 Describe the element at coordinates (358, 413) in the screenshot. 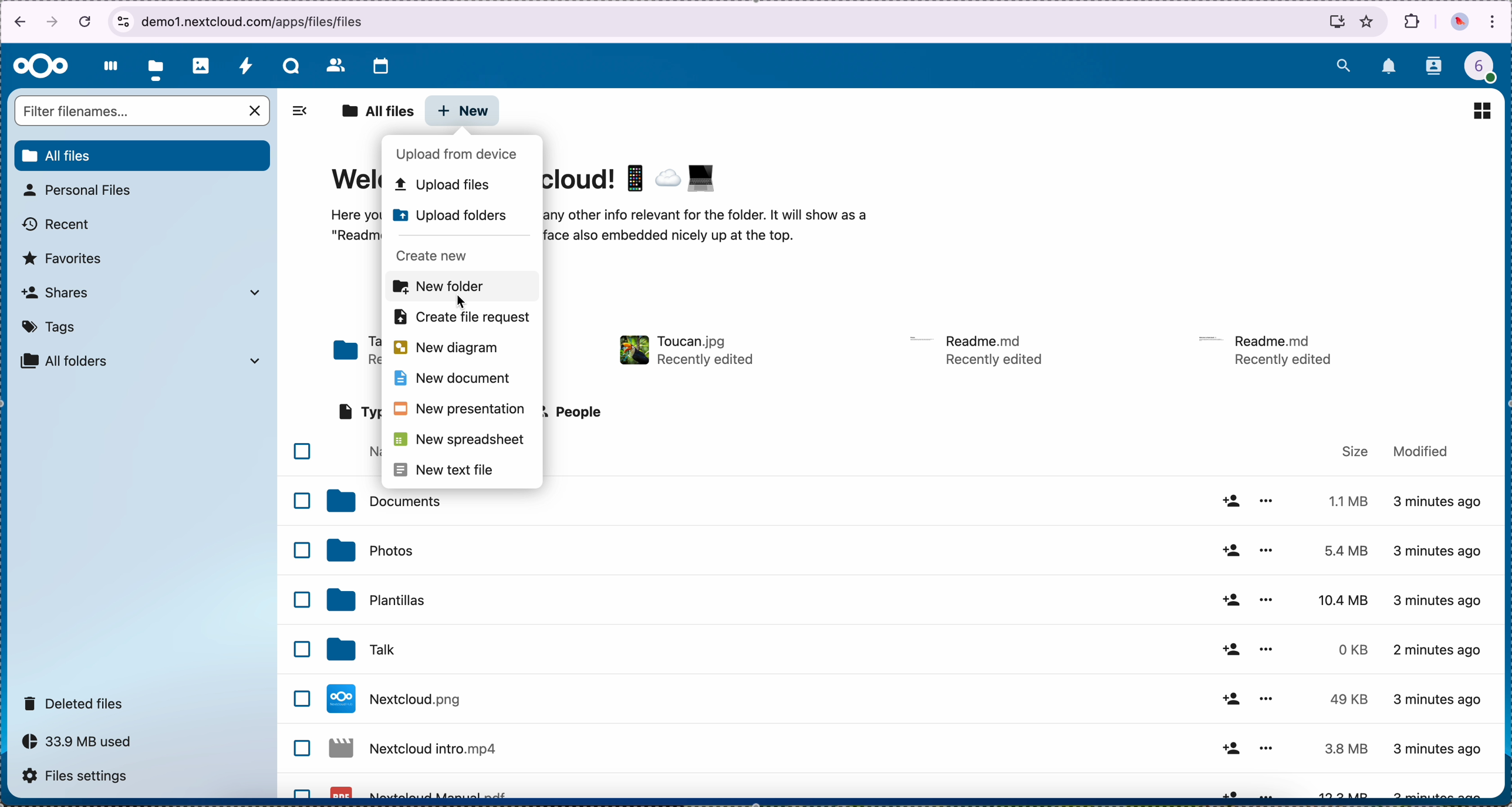

I see `type` at that location.